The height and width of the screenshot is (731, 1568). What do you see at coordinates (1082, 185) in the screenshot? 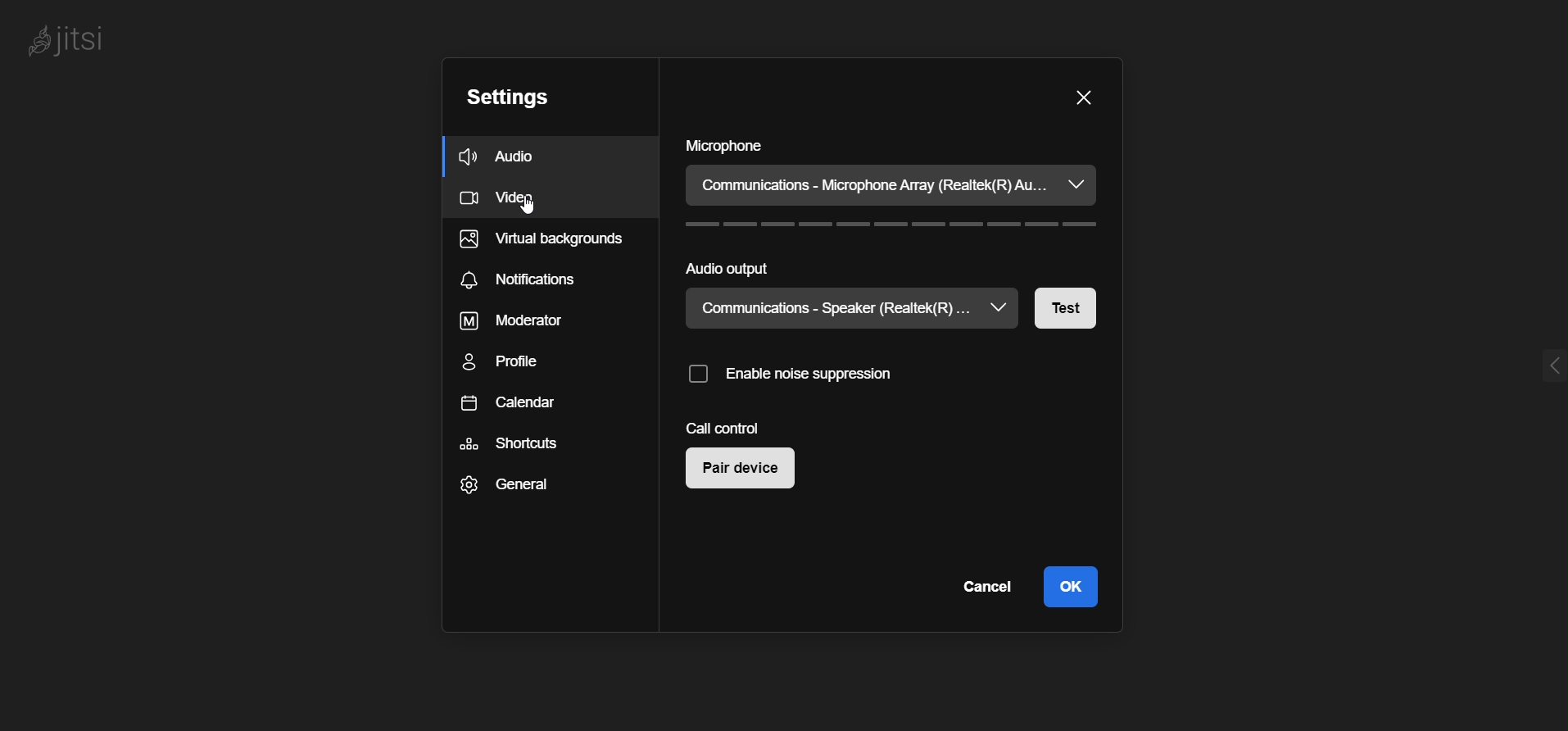
I see `microphone dropdown` at bounding box center [1082, 185].